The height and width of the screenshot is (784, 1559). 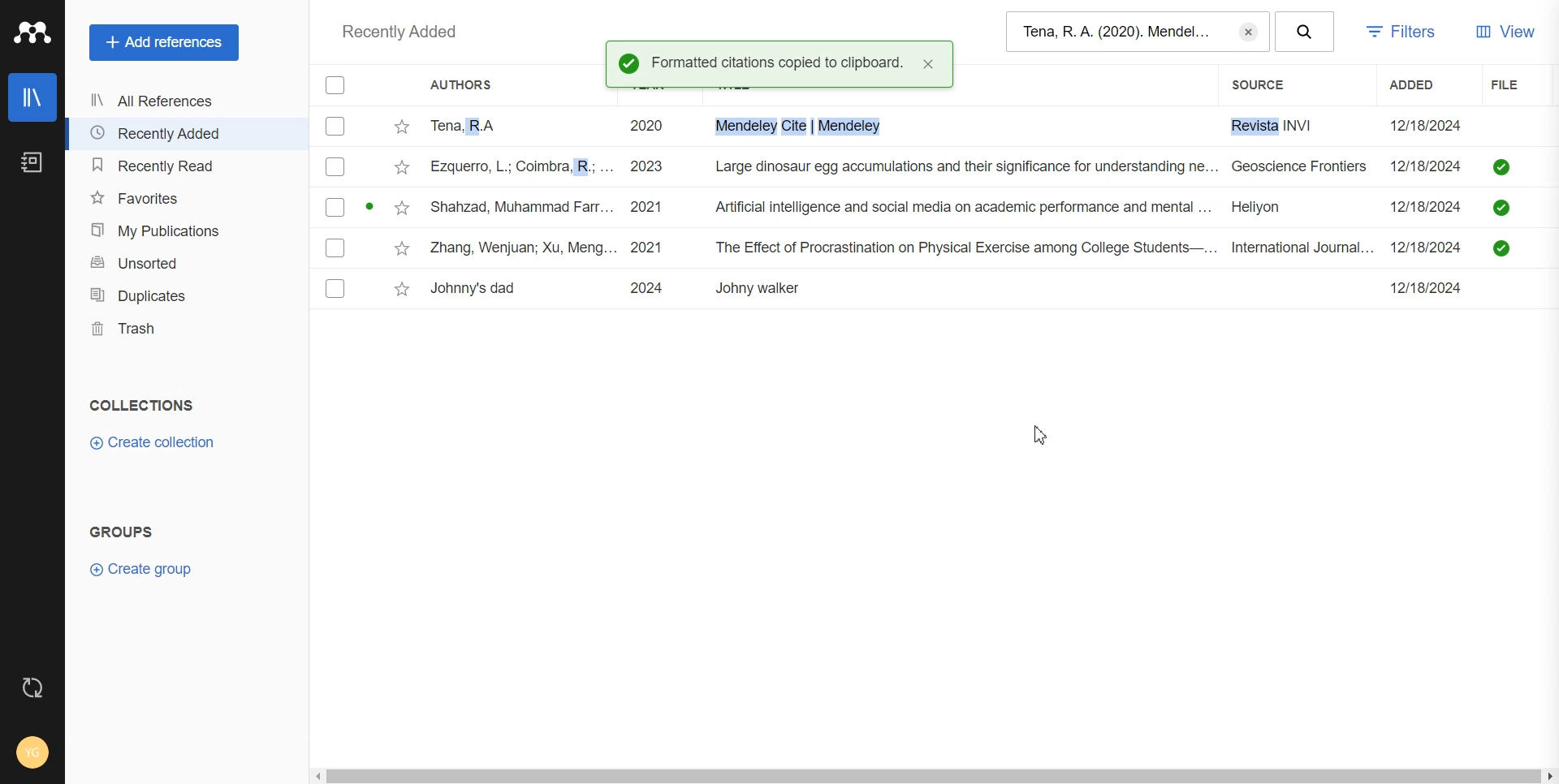 What do you see at coordinates (335, 84) in the screenshot?
I see `Checkbox` at bounding box center [335, 84].